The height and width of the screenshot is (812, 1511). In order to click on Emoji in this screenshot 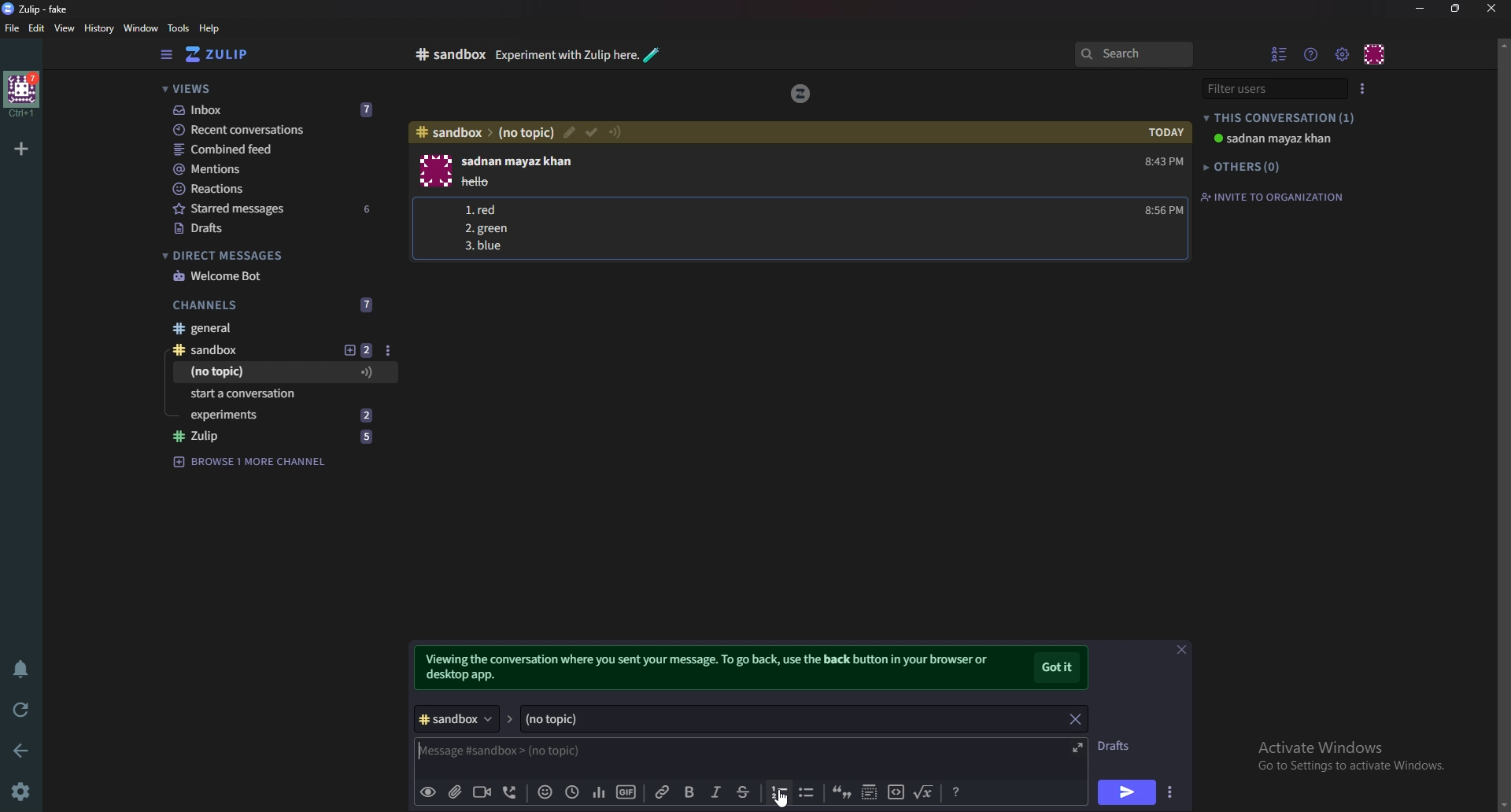, I will do `click(542, 793)`.